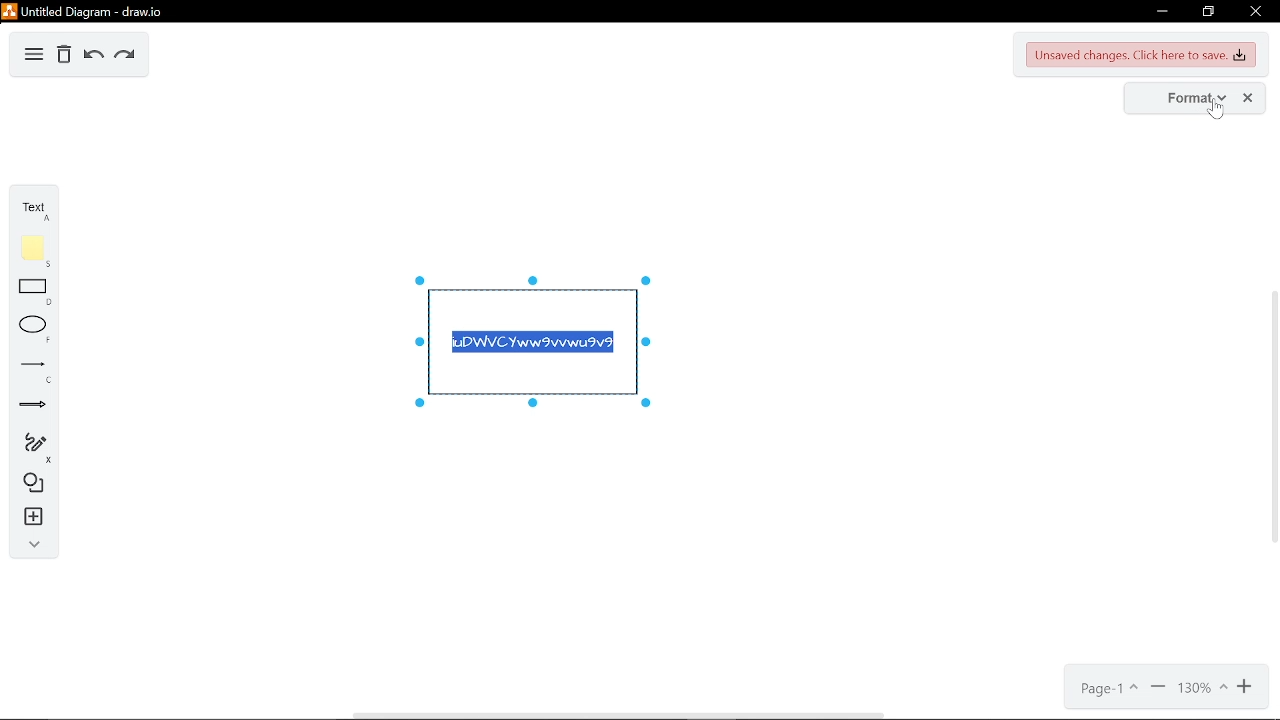 Image resolution: width=1280 pixels, height=720 pixels. What do you see at coordinates (1255, 11) in the screenshot?
I see `close` at bounding box center [1255, 11].